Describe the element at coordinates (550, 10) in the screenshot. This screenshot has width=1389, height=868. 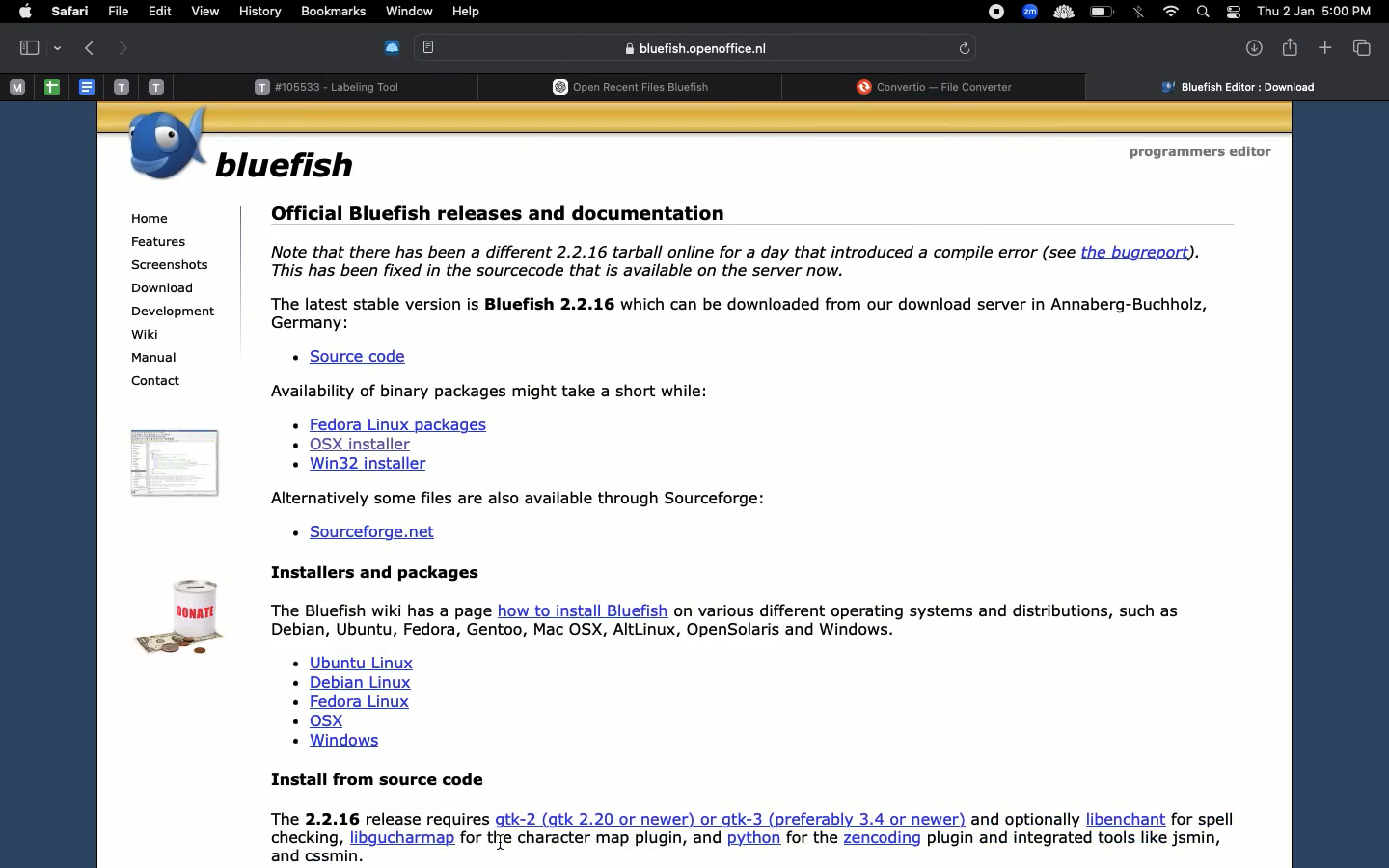
I see `dialogs ` at that location.